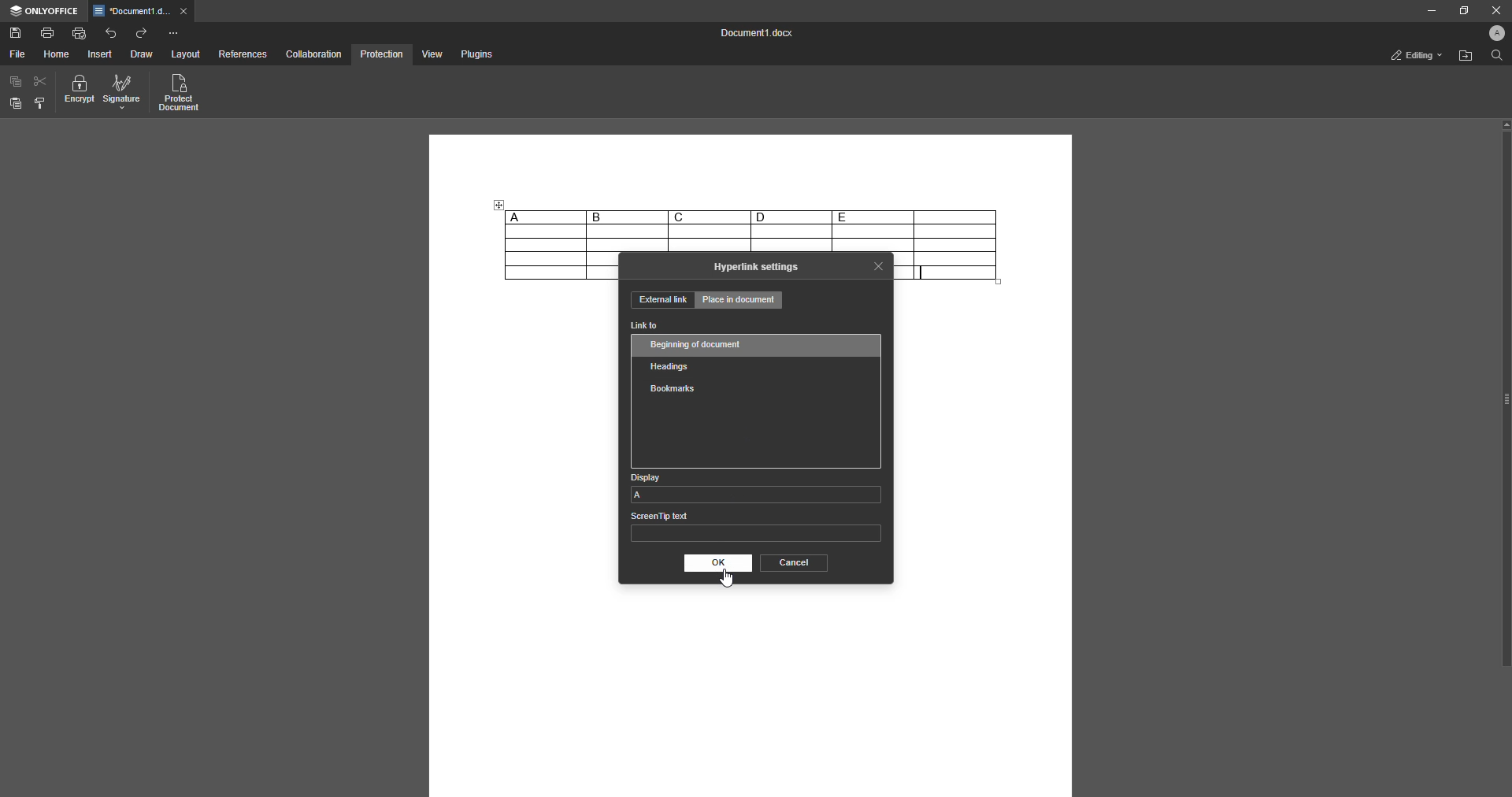 This screenshot has width=1512, height=797. I want to click on D, so click(791, 217).